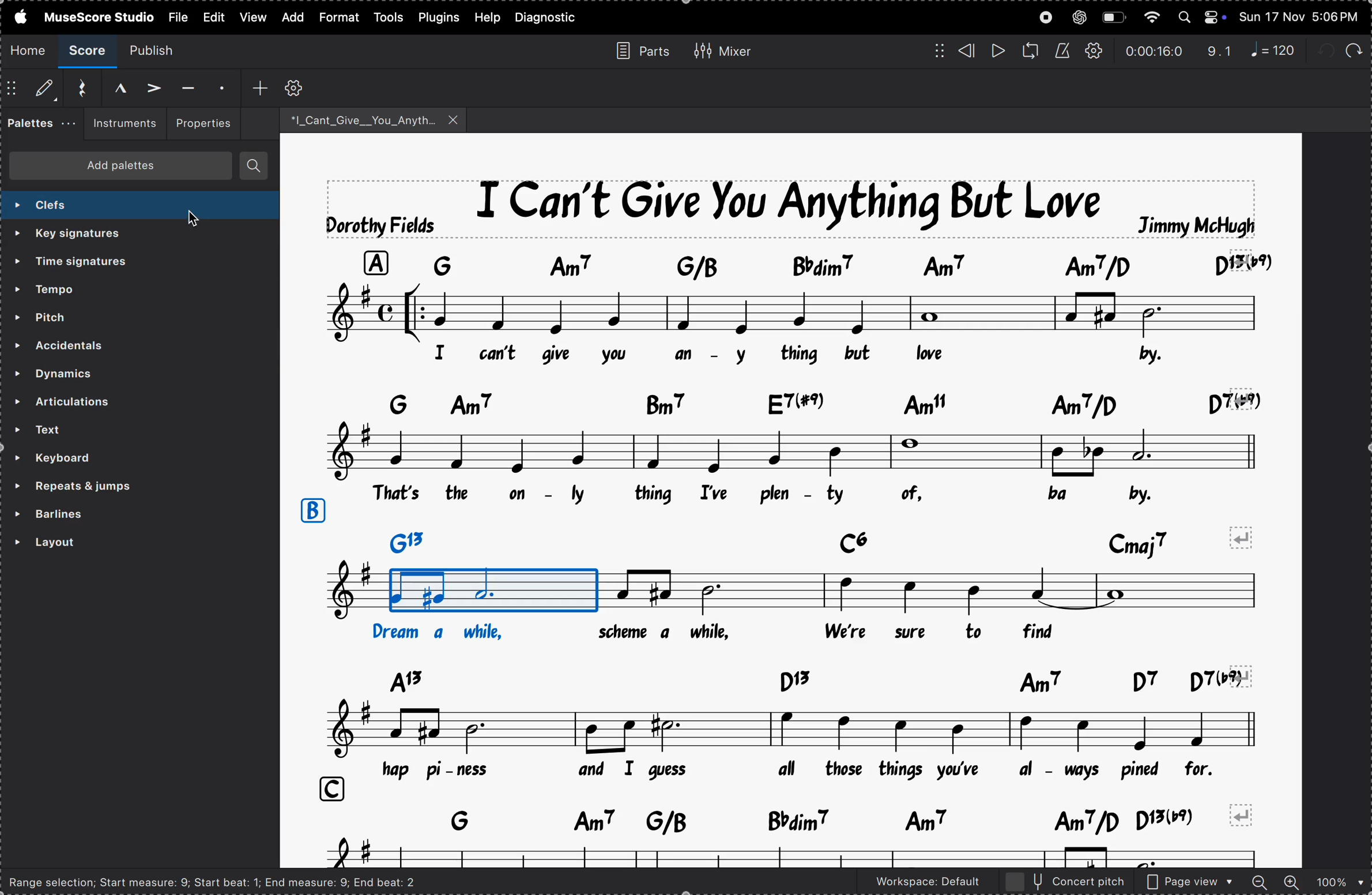 Image resolution: width=1372 pixels, height=895 pixels. Describe the element at coordinates (1095, 51) in the screenshot. I see `playback settings` at that location.